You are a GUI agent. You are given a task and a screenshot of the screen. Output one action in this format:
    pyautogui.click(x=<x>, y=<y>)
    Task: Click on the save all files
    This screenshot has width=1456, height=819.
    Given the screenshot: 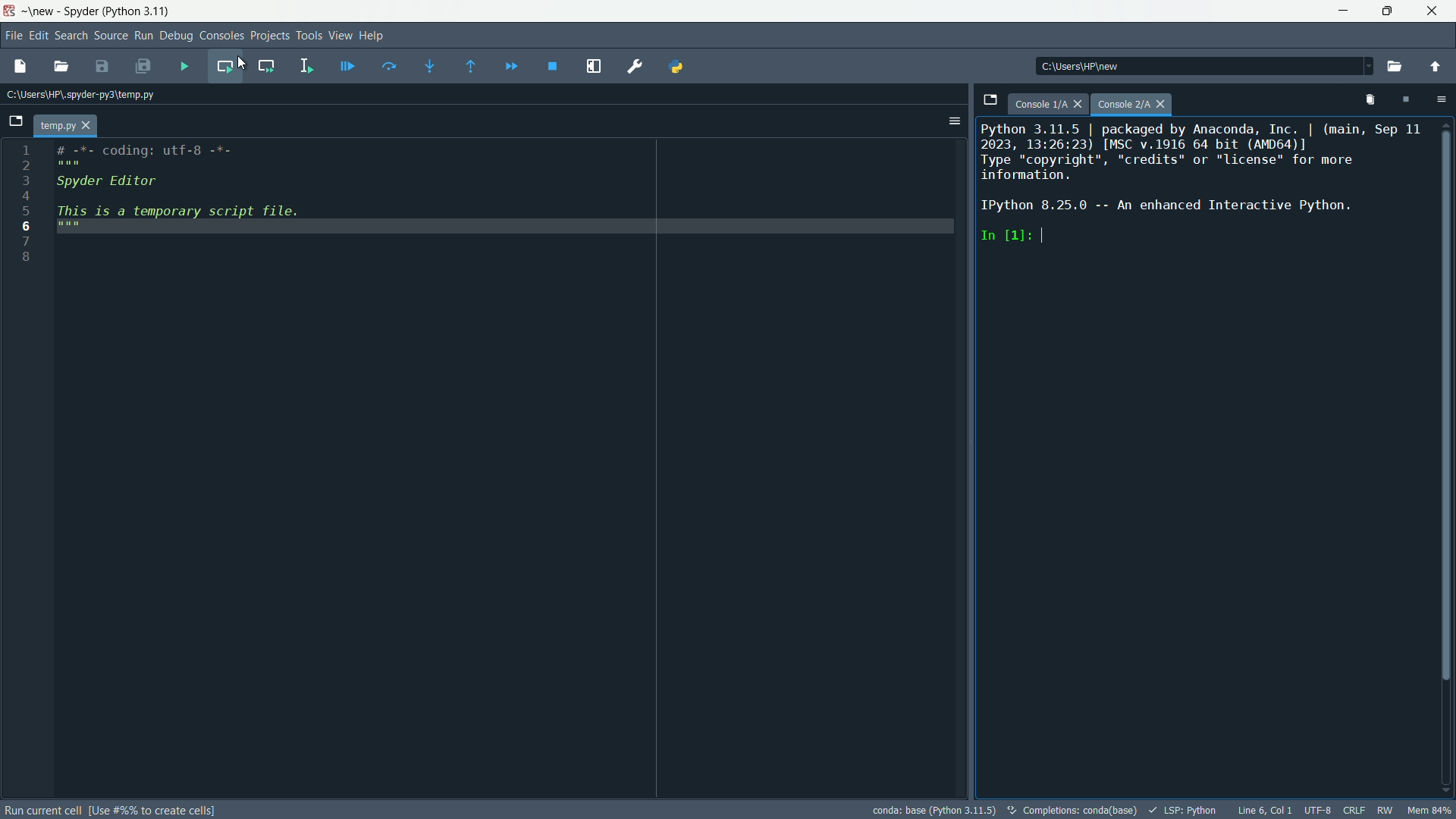 What is the action you would take?
    pyautogui.click(x=143, y=67)
    